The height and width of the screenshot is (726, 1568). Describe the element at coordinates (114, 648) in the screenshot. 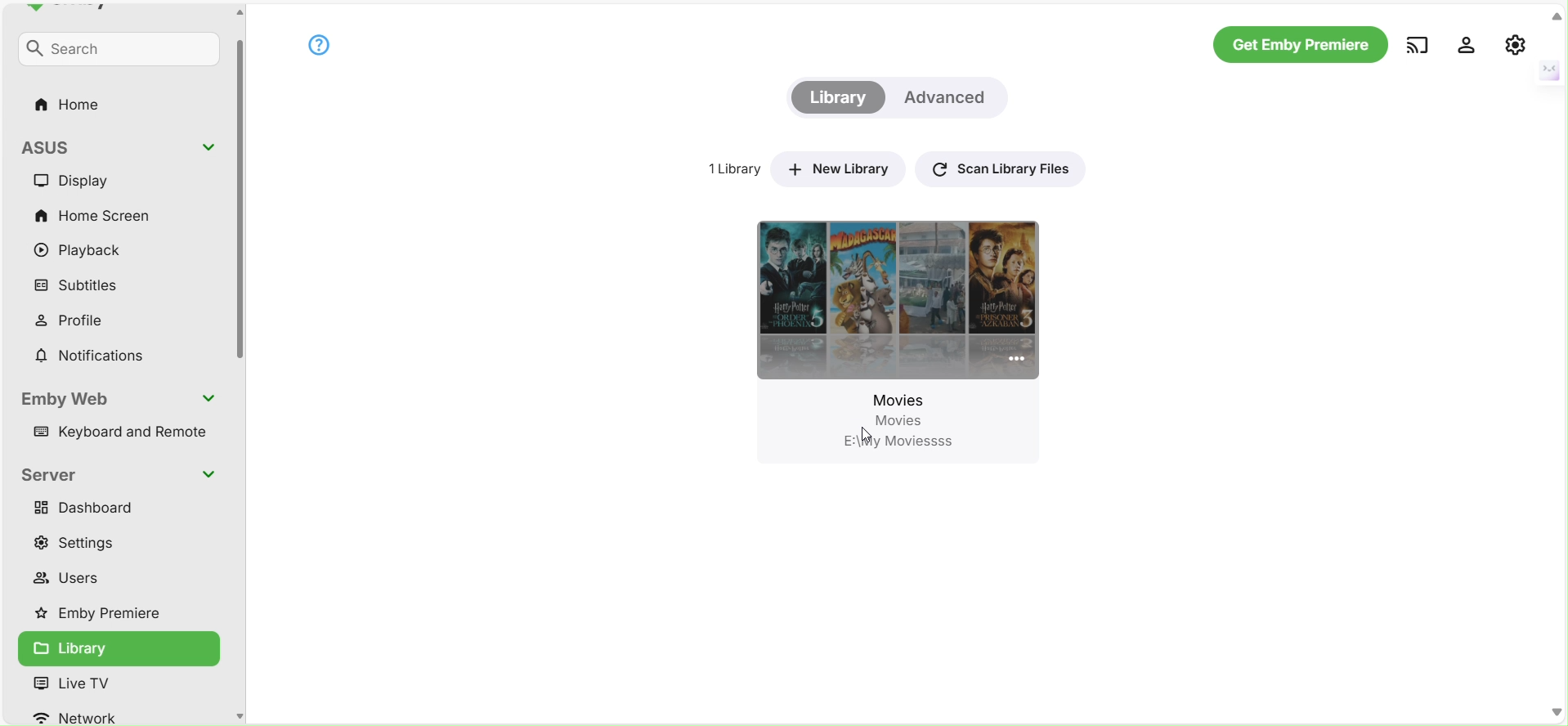

I see `Library View in Open` at that location.